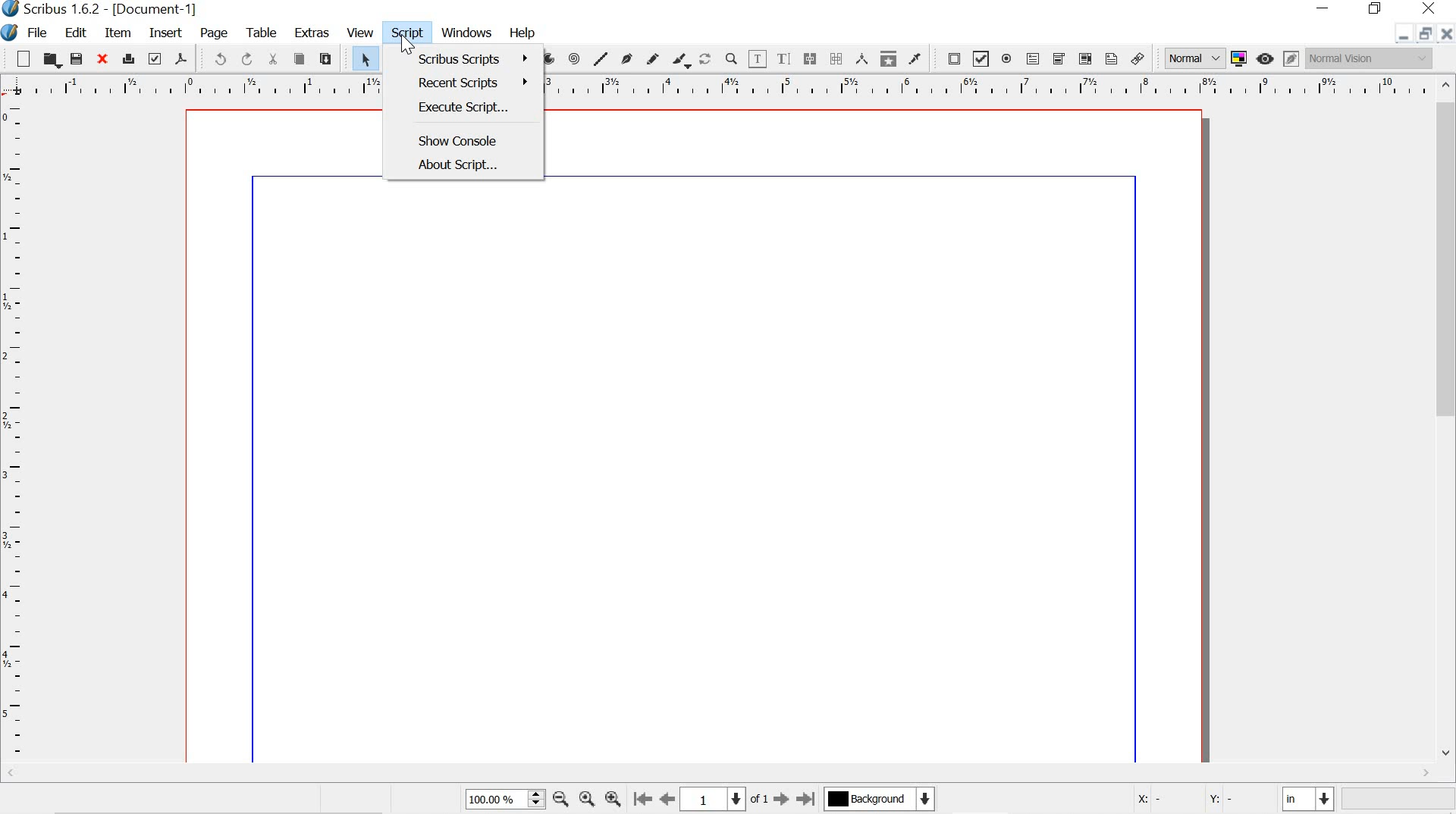  Describe the element at coordinates (757, 59) in the screenshot. I see `edit contents of frame` at that location.